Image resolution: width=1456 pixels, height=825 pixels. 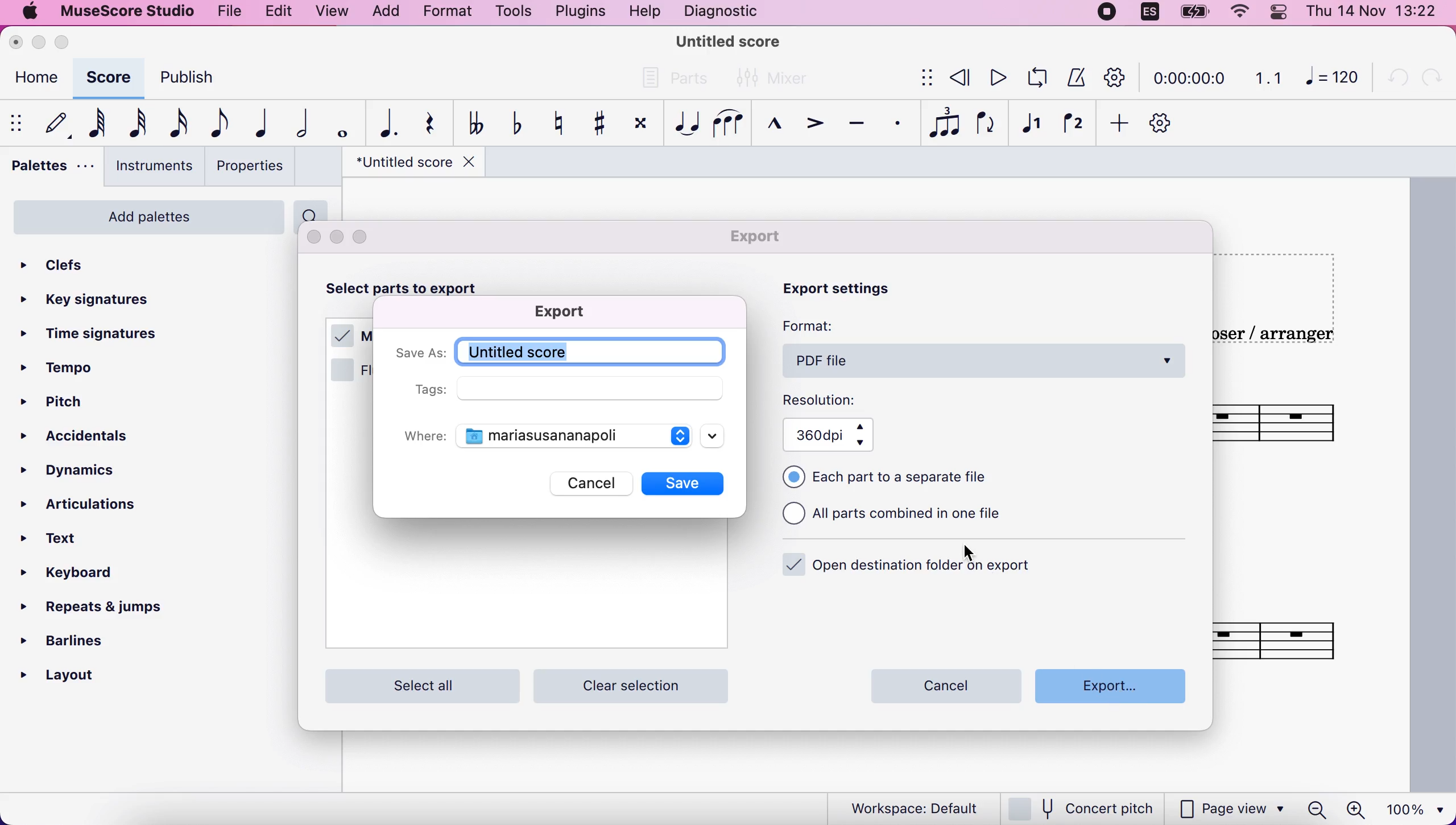 What do you see at coordinates (913, 518) in the screenshot?
I see `all parts combined in one file` at bounding box center [913, 518].